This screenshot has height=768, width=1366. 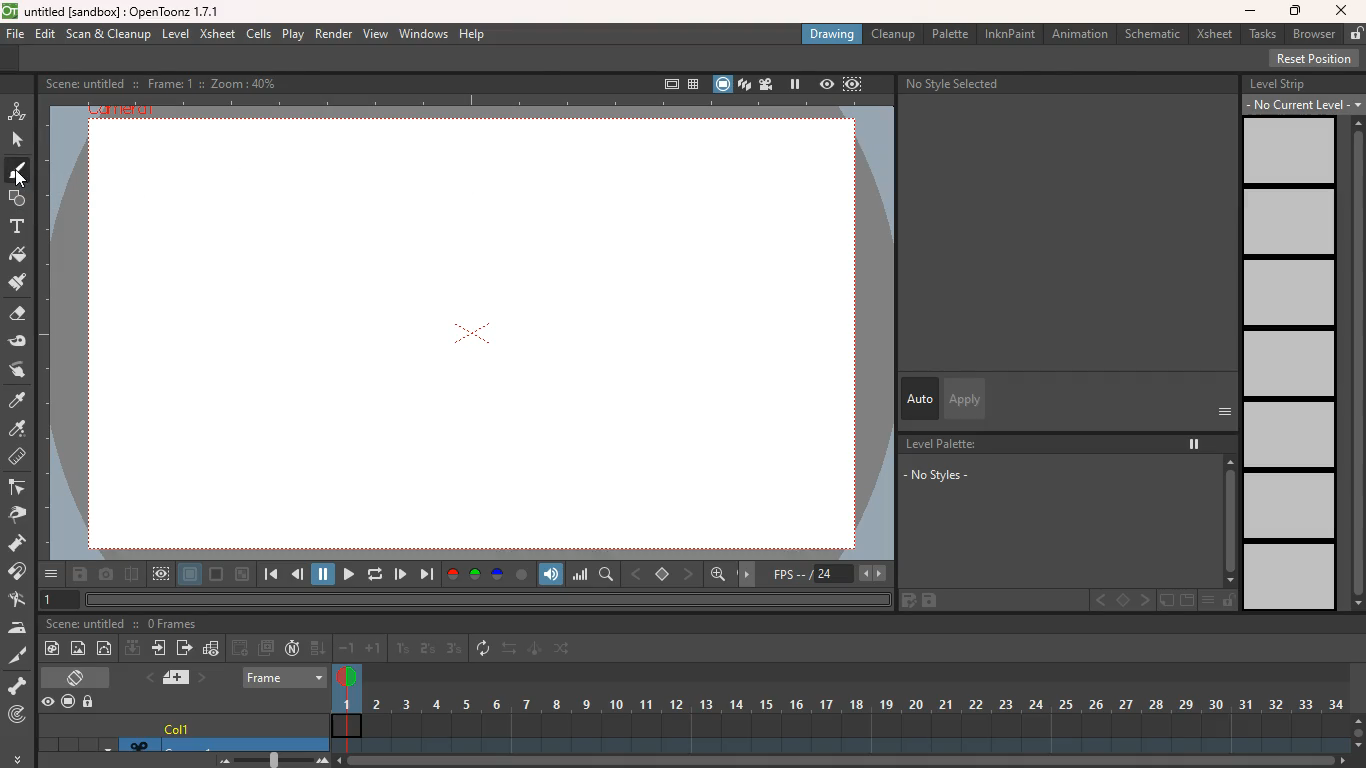 What do you see at coordinates (401, 573) in the screenshot?
I see `play` at bounding box center [401, 573].